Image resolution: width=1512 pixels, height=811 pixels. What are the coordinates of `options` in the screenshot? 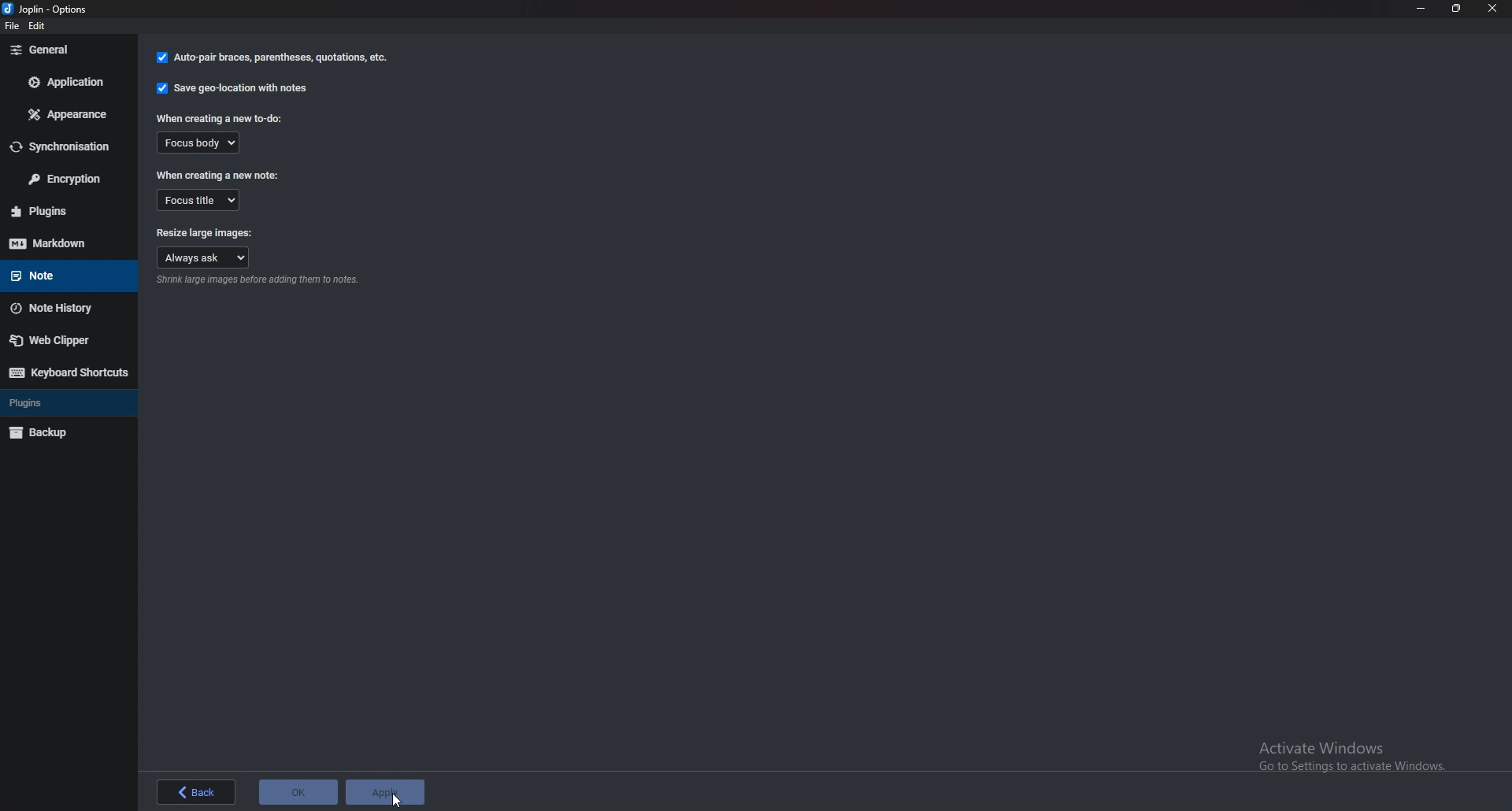 It's located at (50, 10).